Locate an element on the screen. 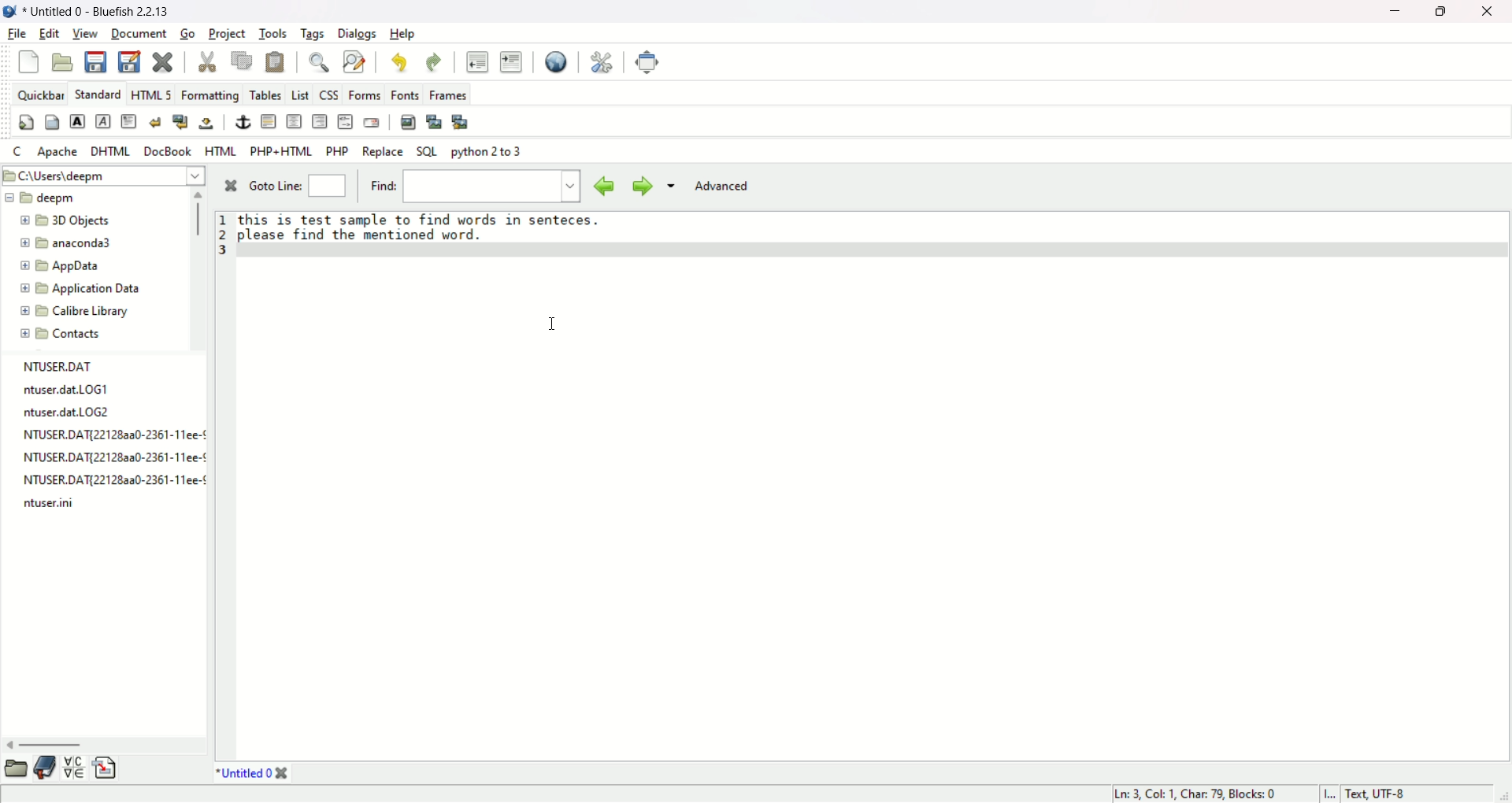 The height and width of the screenshot is (803, 1512). SQL is located at coordinates (426, 151).